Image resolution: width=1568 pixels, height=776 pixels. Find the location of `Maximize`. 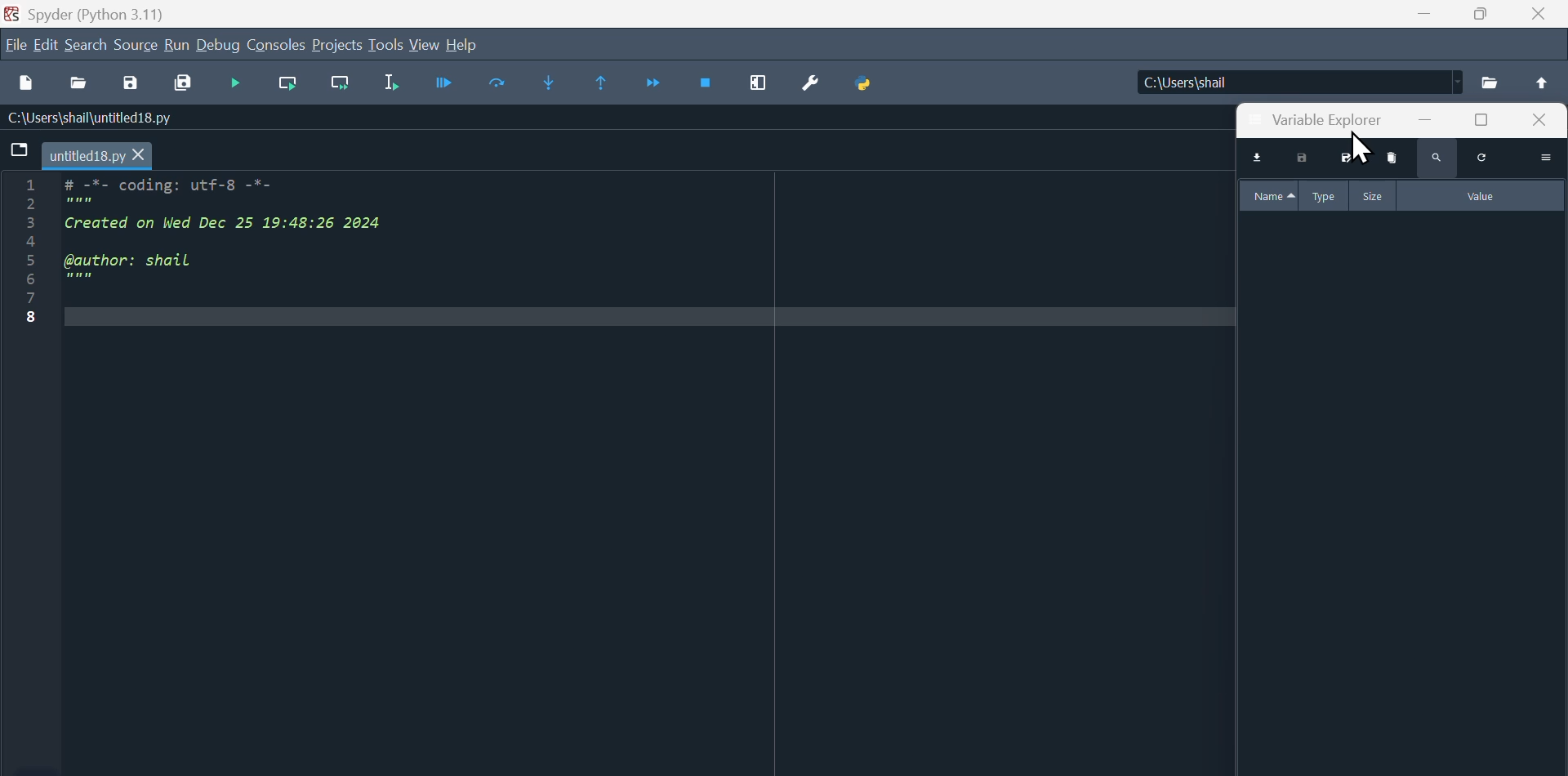

Maximize is located at coordinates (1488, 15).